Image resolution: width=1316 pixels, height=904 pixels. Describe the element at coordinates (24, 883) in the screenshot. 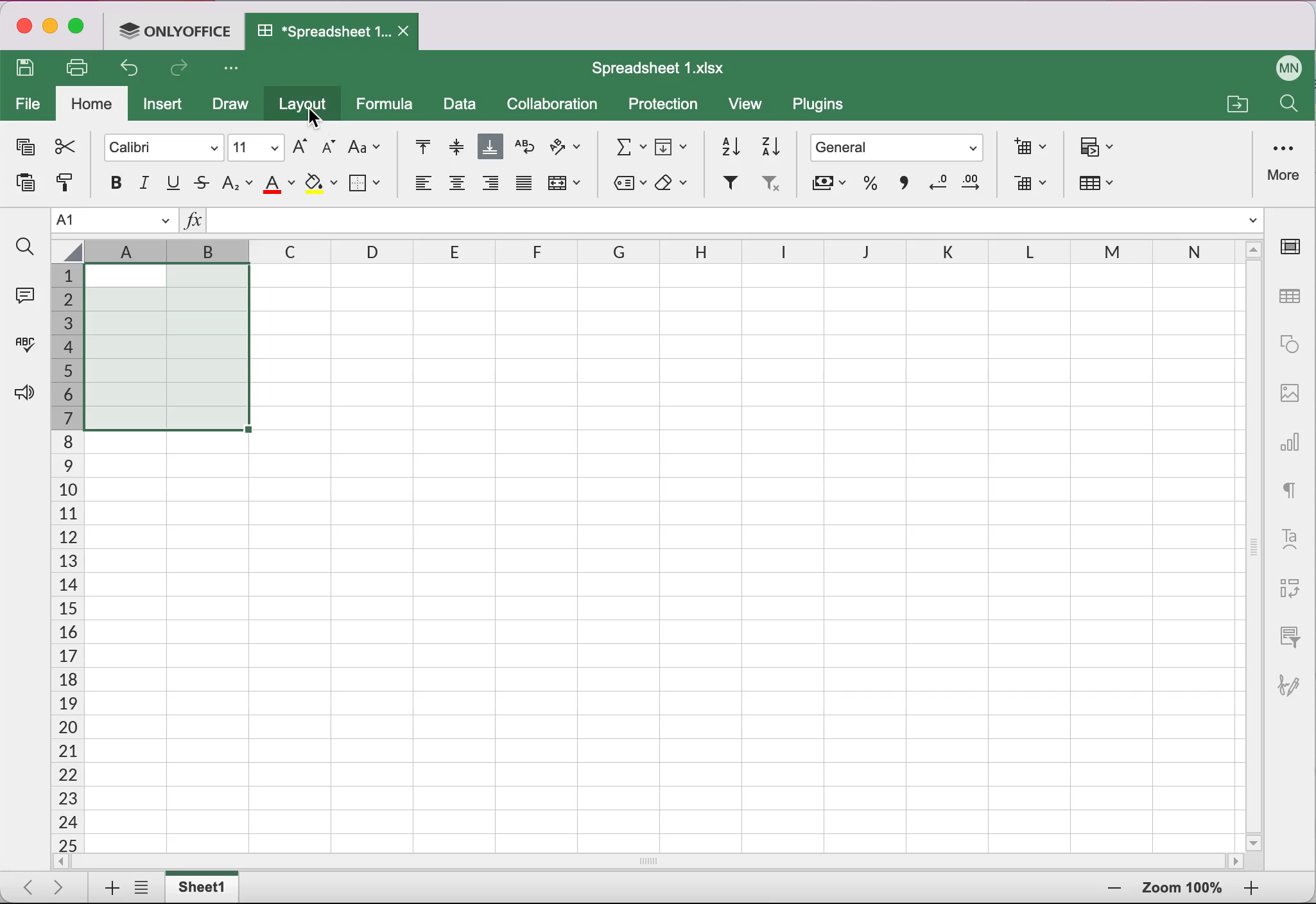

I see `Scroll to first sheet` at that location.